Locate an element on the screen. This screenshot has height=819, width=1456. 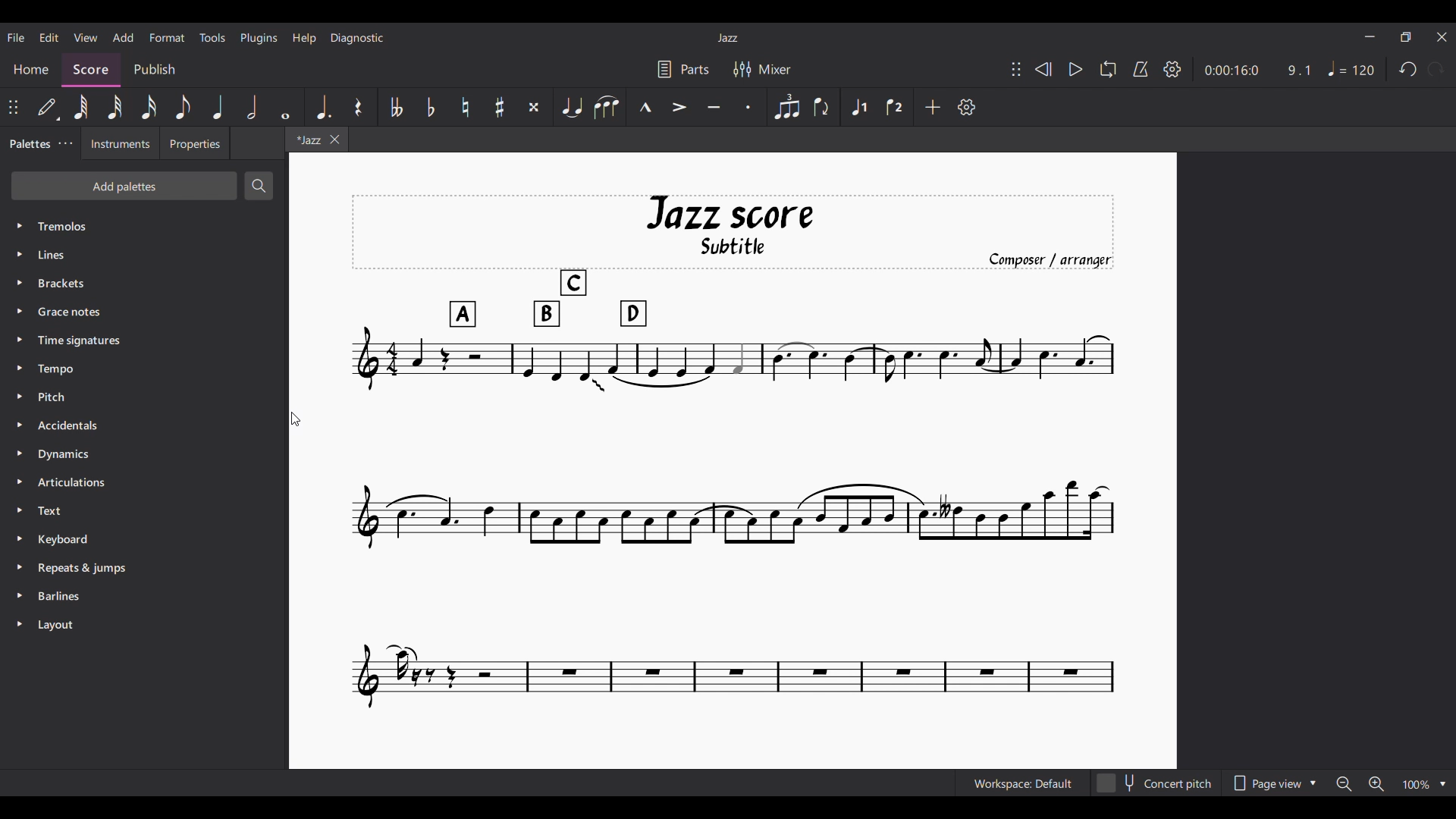
Tempo is located at coordinates (145, 368).